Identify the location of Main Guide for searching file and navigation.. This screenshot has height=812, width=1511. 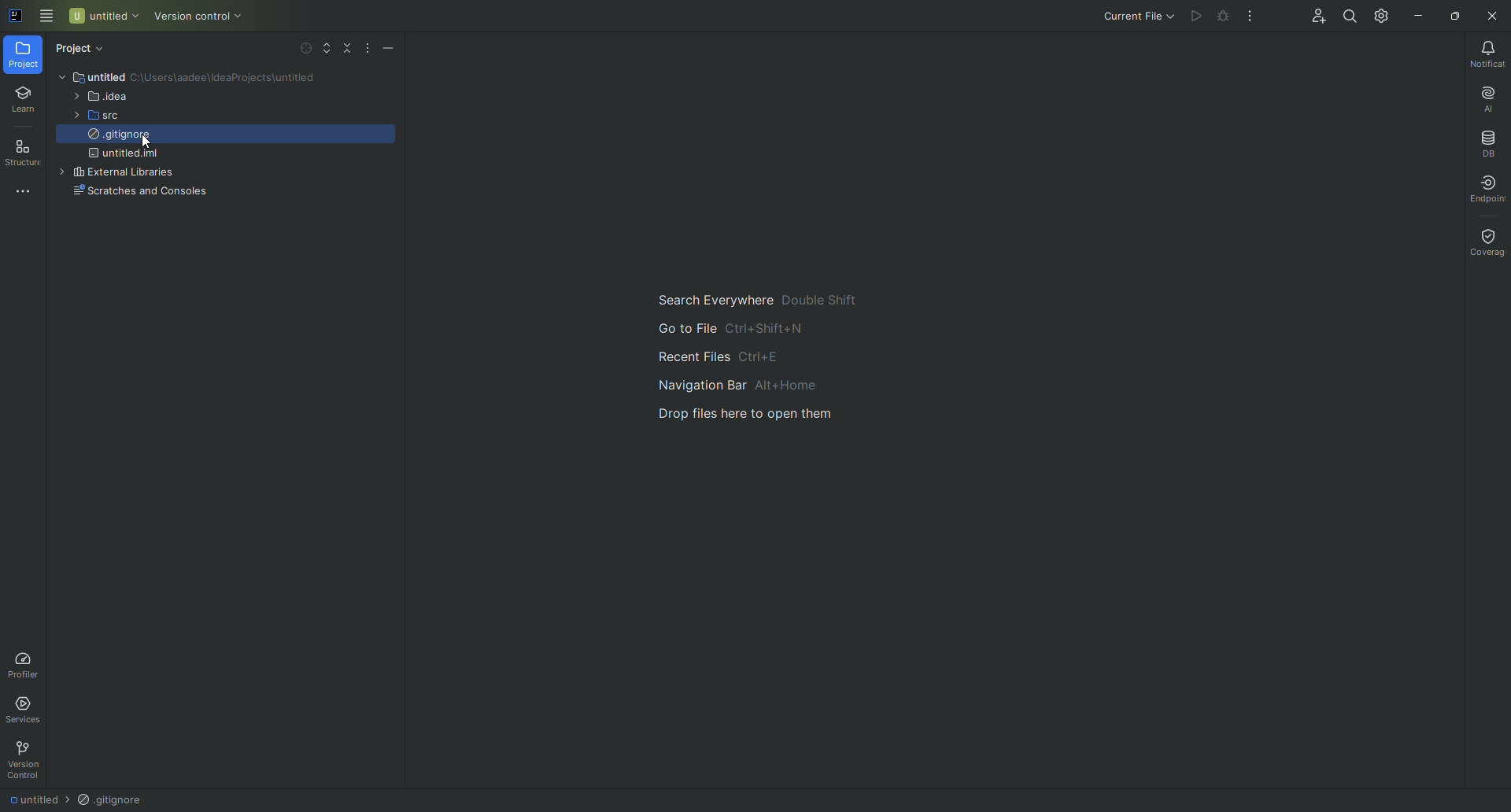
(784, 361).